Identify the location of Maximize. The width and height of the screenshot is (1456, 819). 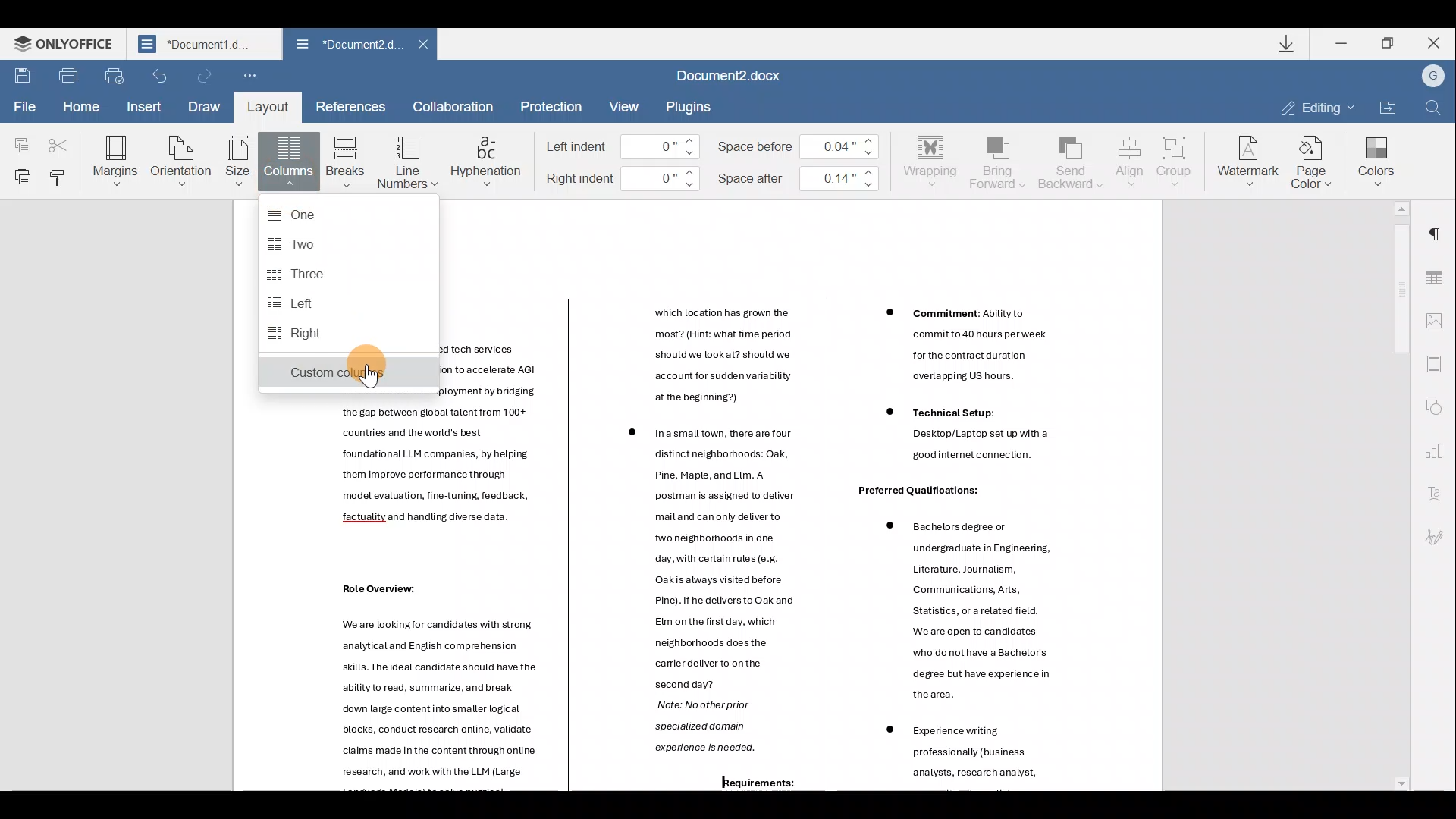
(1389, 42).